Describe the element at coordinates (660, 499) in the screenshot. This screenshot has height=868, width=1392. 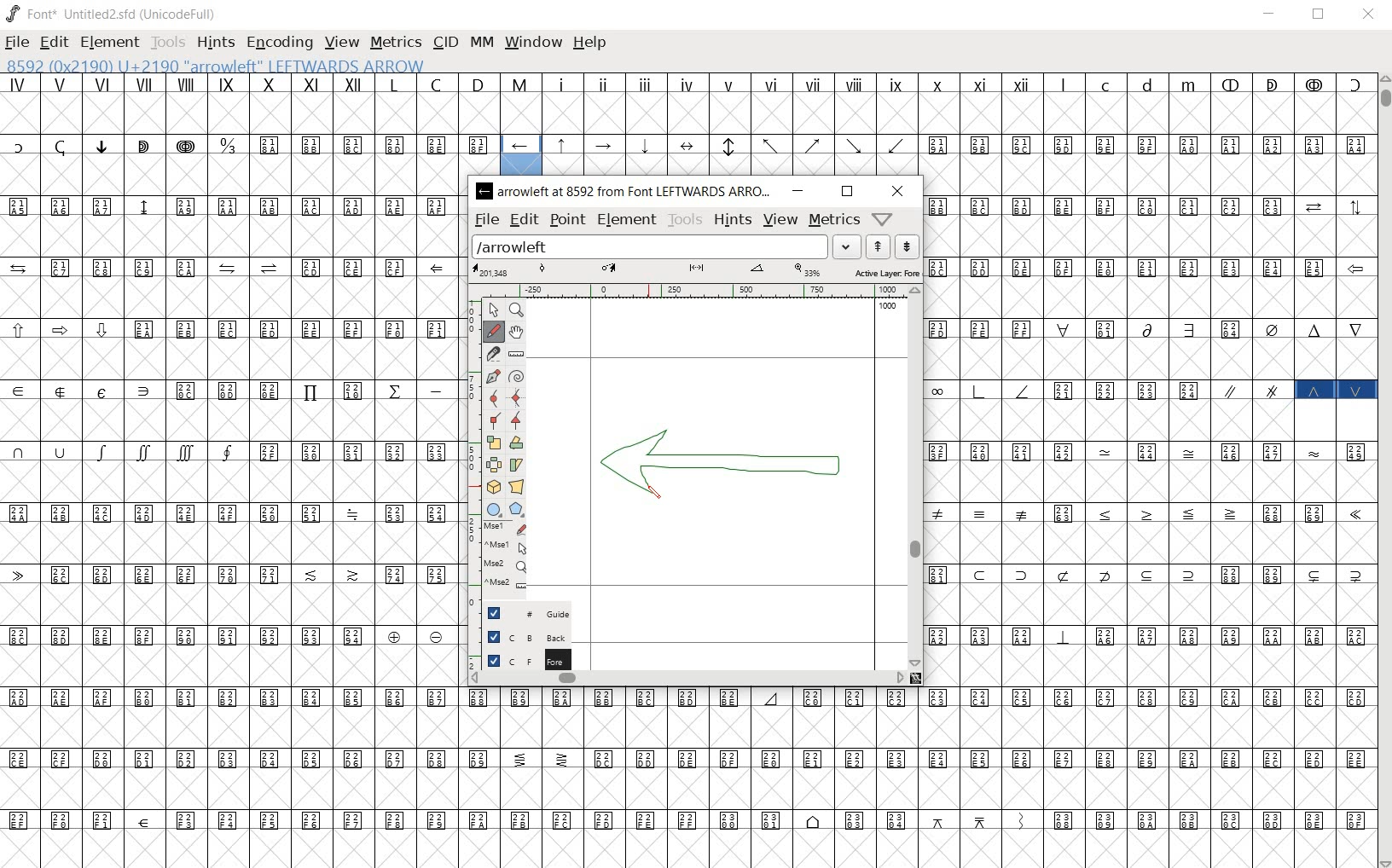
I see `pencil tool` at that location.